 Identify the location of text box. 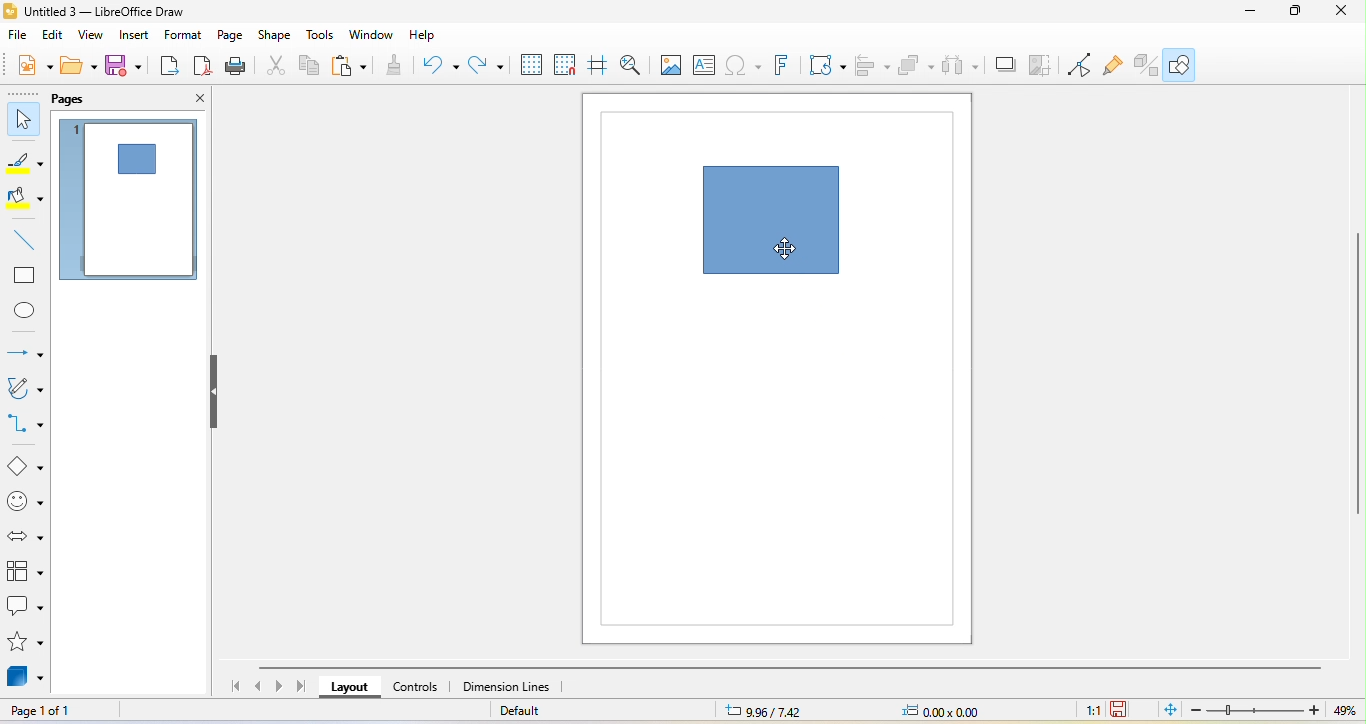
(705, 66).